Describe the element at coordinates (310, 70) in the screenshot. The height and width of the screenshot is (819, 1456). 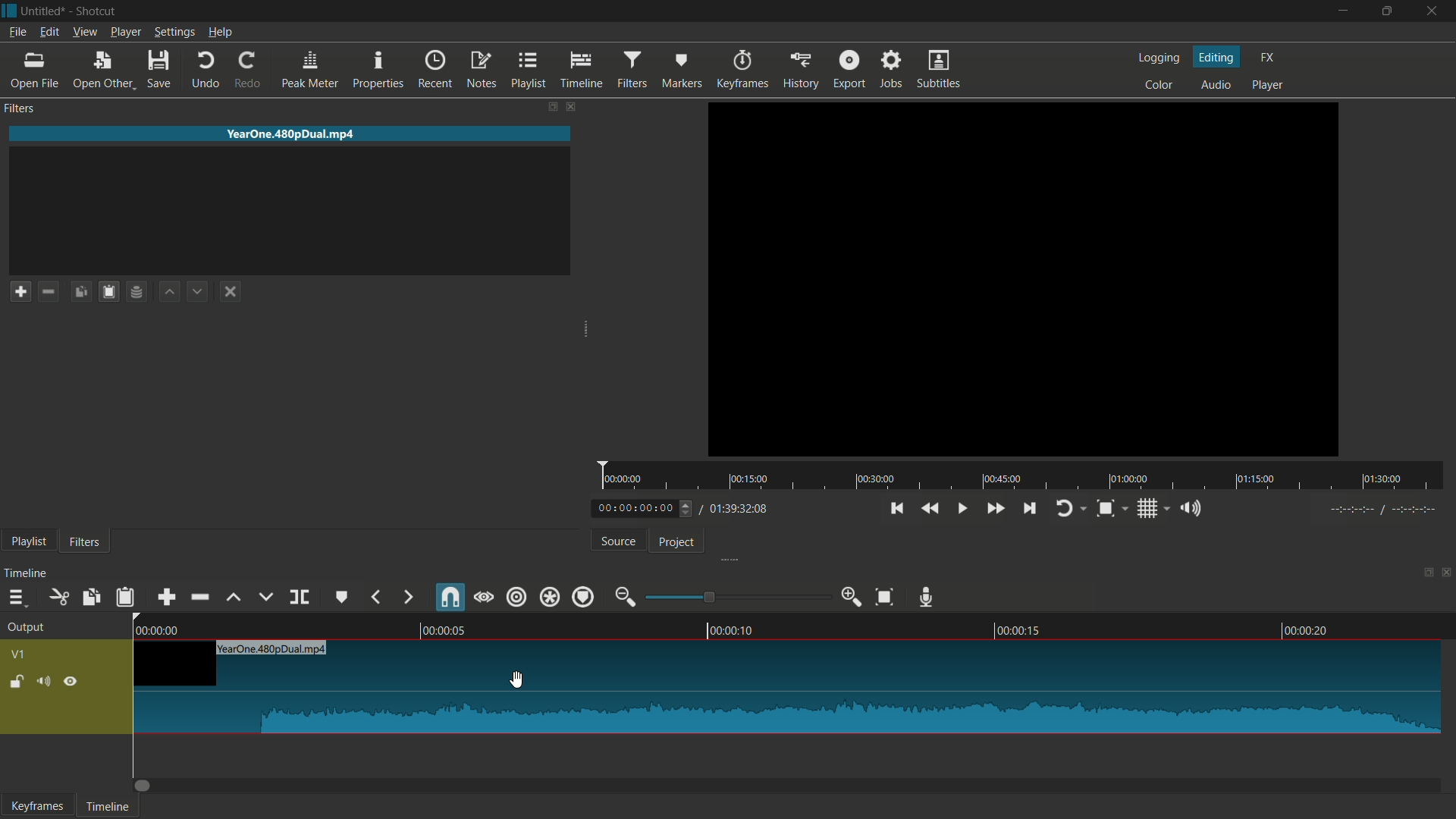
I see `peak meter` at that location.